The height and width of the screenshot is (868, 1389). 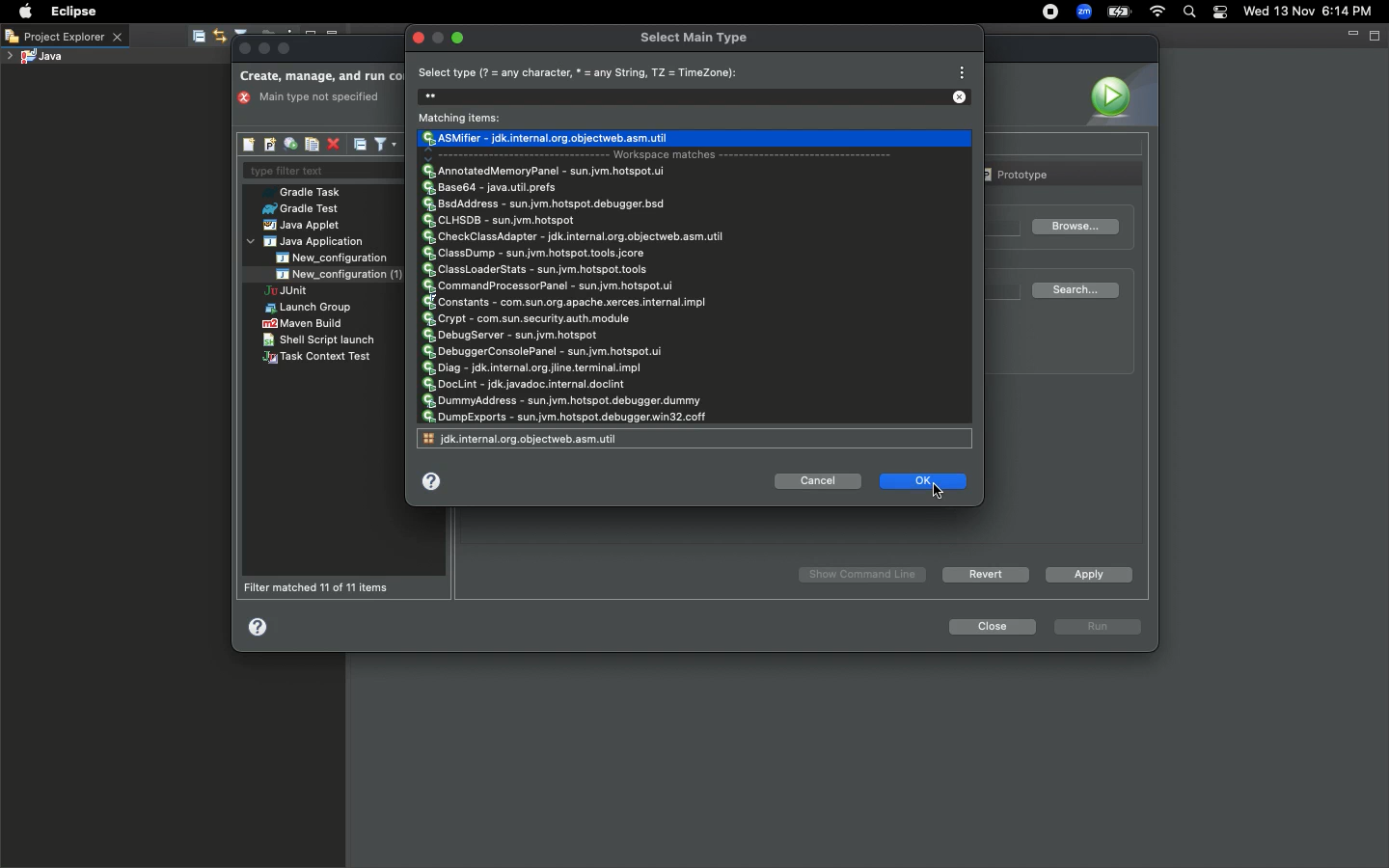 What do you see at coordinates (526, 384) in the screenshot?
I see `DocLint - jdk.javadoc.internal.doclint` at bounding box center [526, 384].